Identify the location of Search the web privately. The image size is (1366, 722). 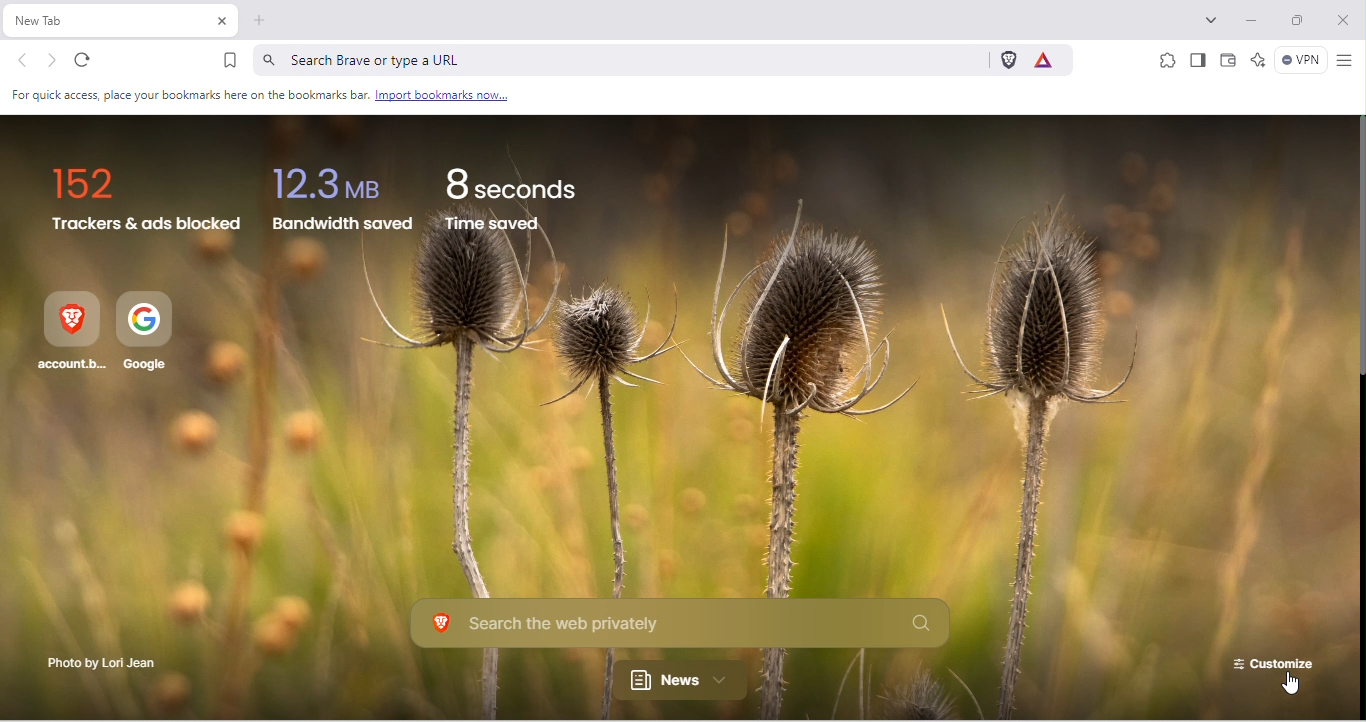
(683, 625).